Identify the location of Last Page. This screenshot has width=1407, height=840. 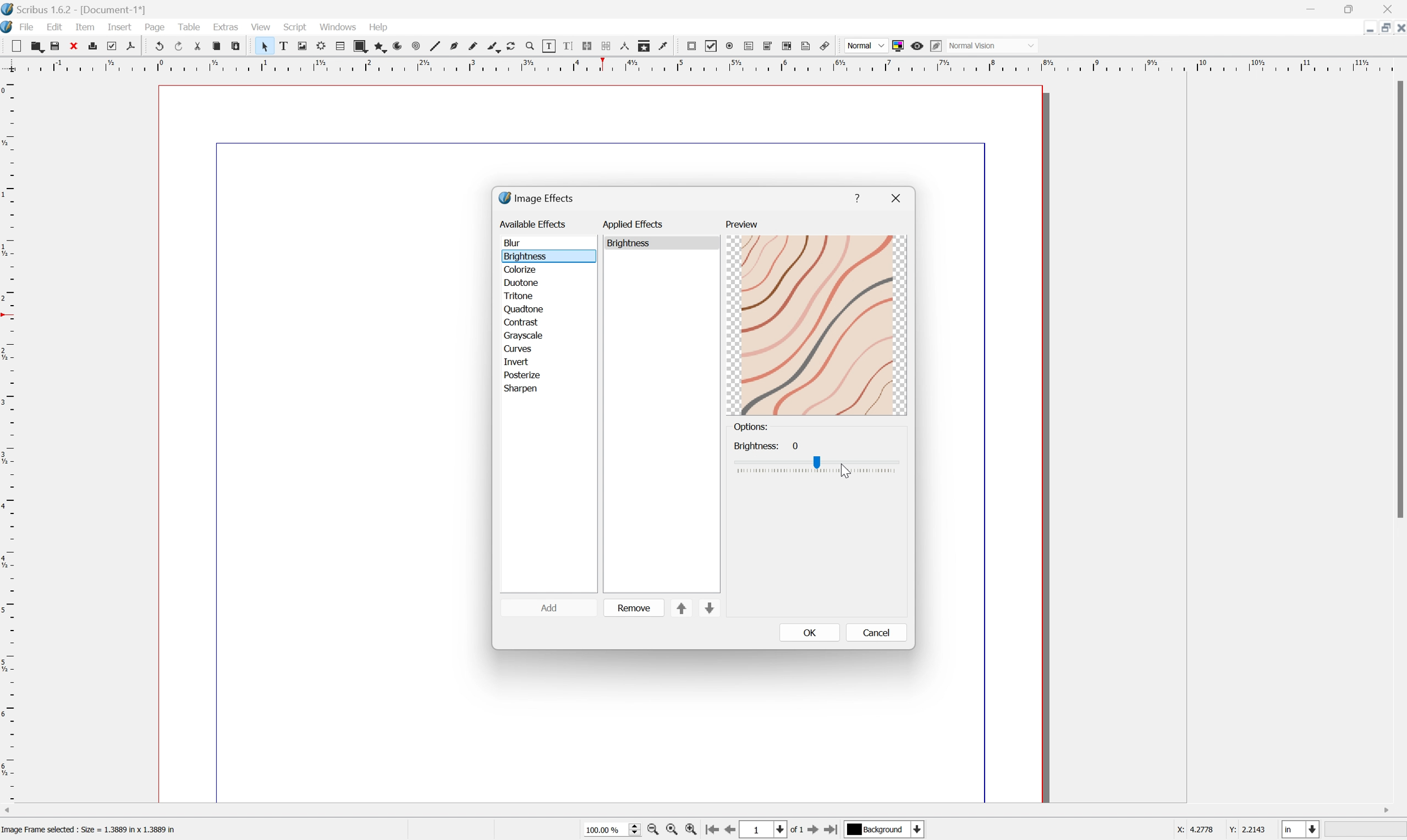
(835, 829).